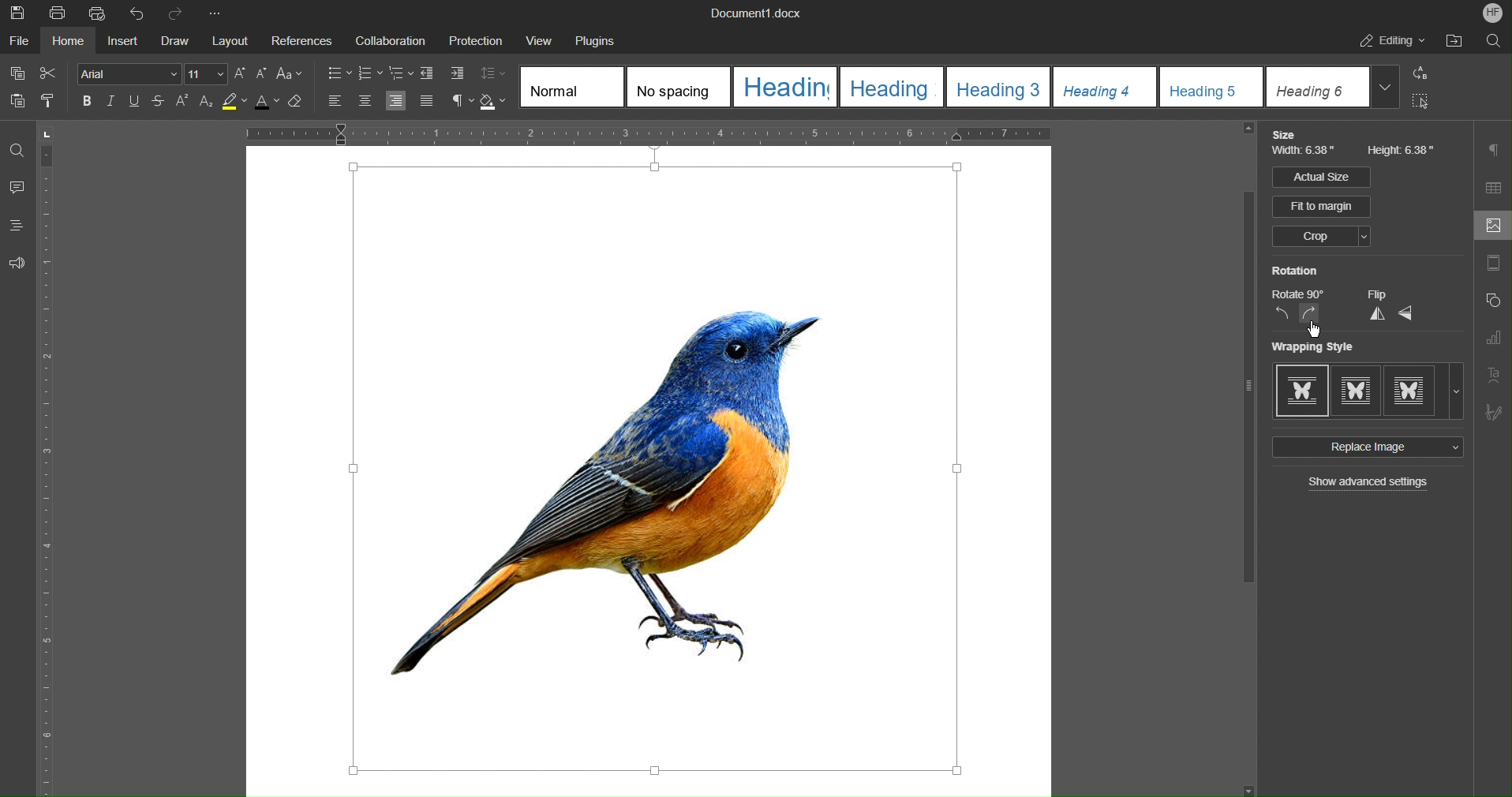 This screenshot has height=797, width=1512. What do you see at coordinates (19, 39) in the screenshot?
I see `File` at bounding box center [19, 39].